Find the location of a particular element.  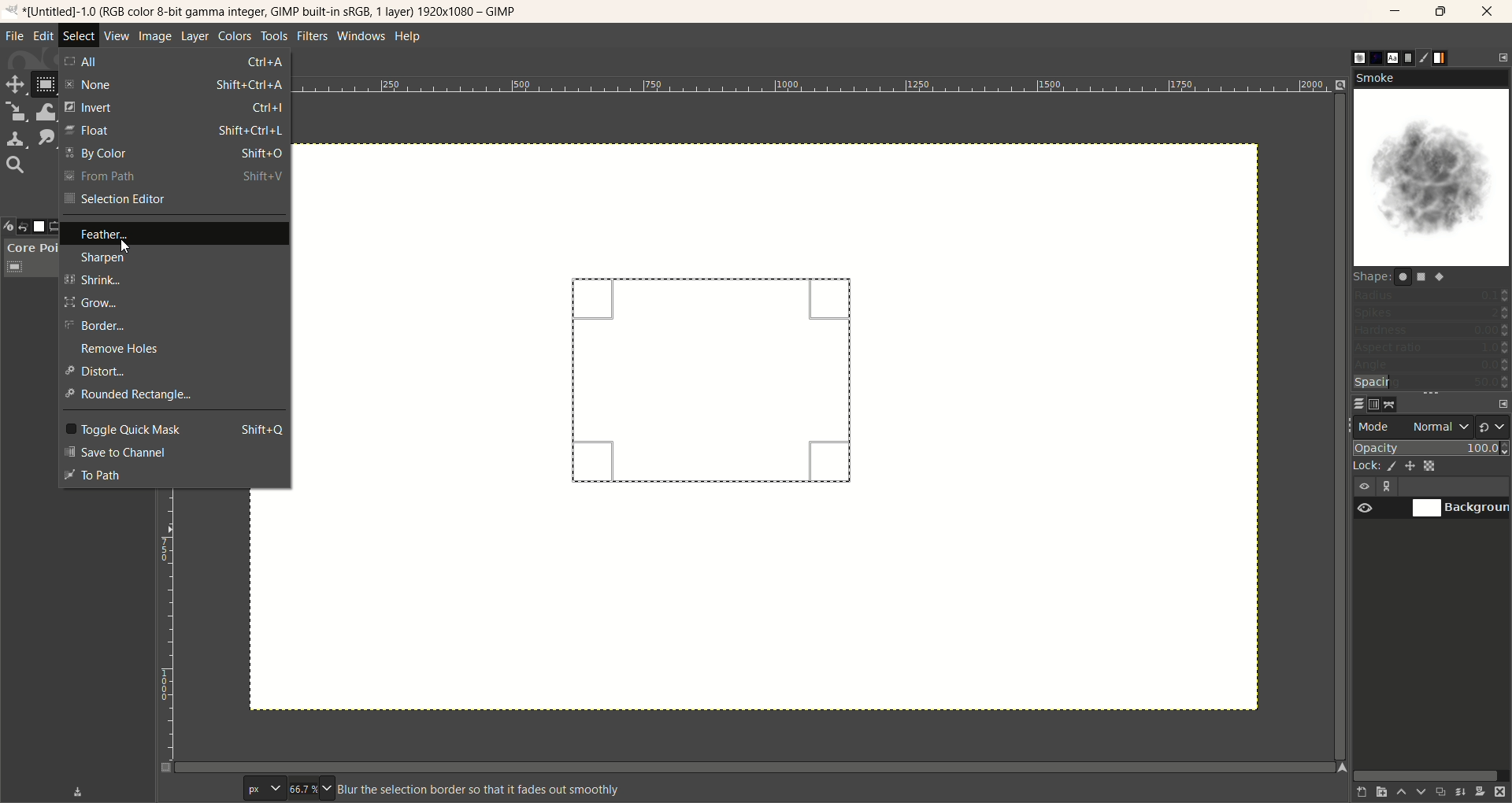

tool options is located at coordinates (55, 227).